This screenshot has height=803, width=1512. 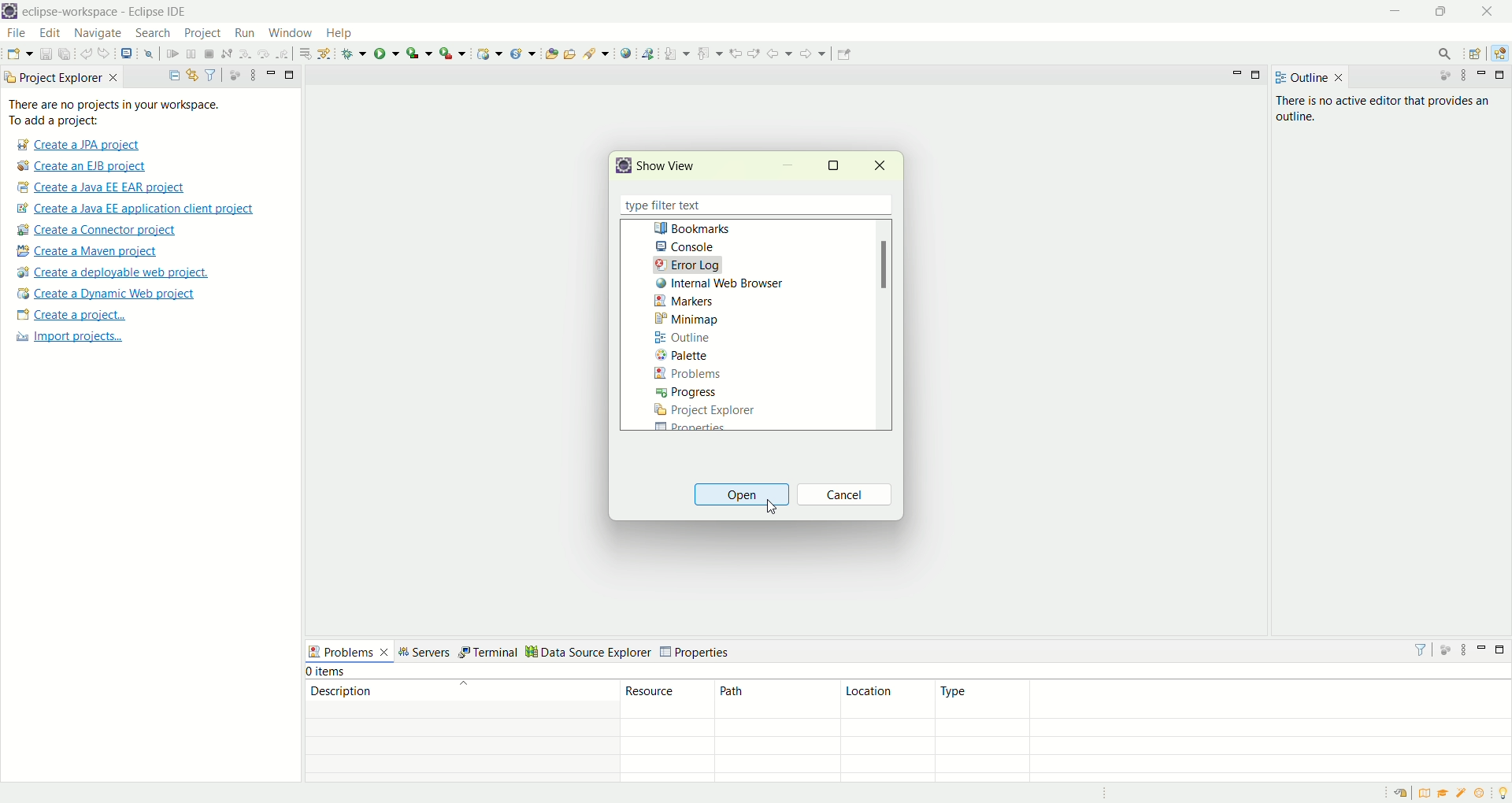 I want to click on palette, so click(x=682, y=356).